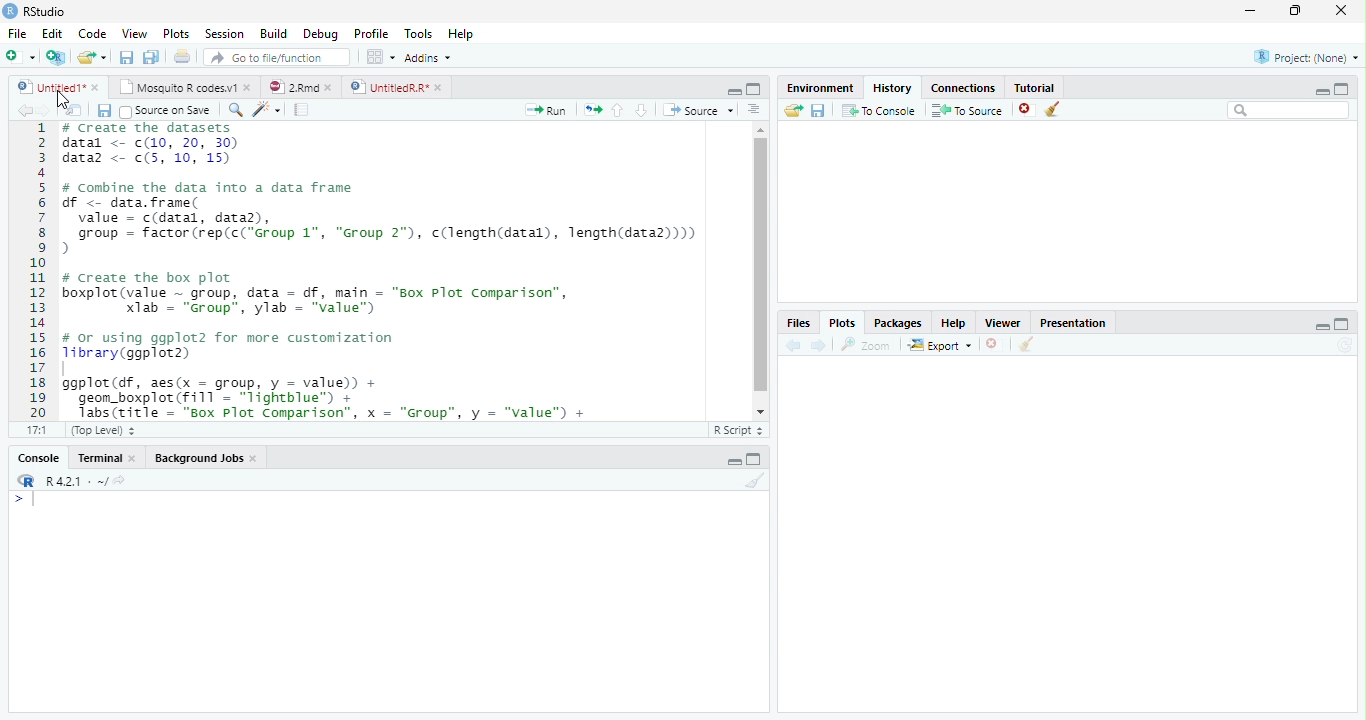 The image size is (1366, 720). What do you see at coordinates (754, 89) in the screenshot?
I see `Maximize` at bounding box center [754, 89].